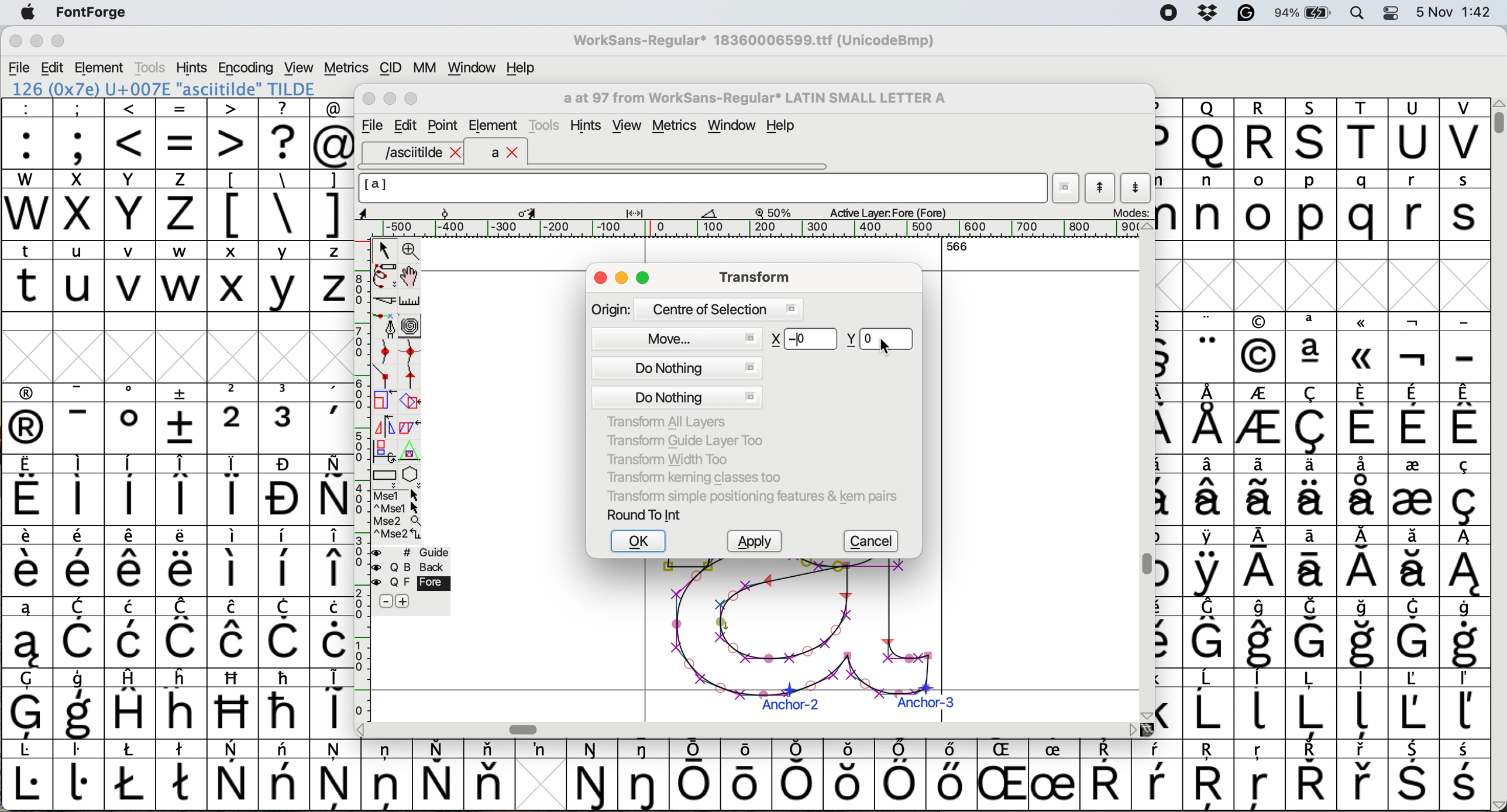  I want to click on apply, so click(759, 542).